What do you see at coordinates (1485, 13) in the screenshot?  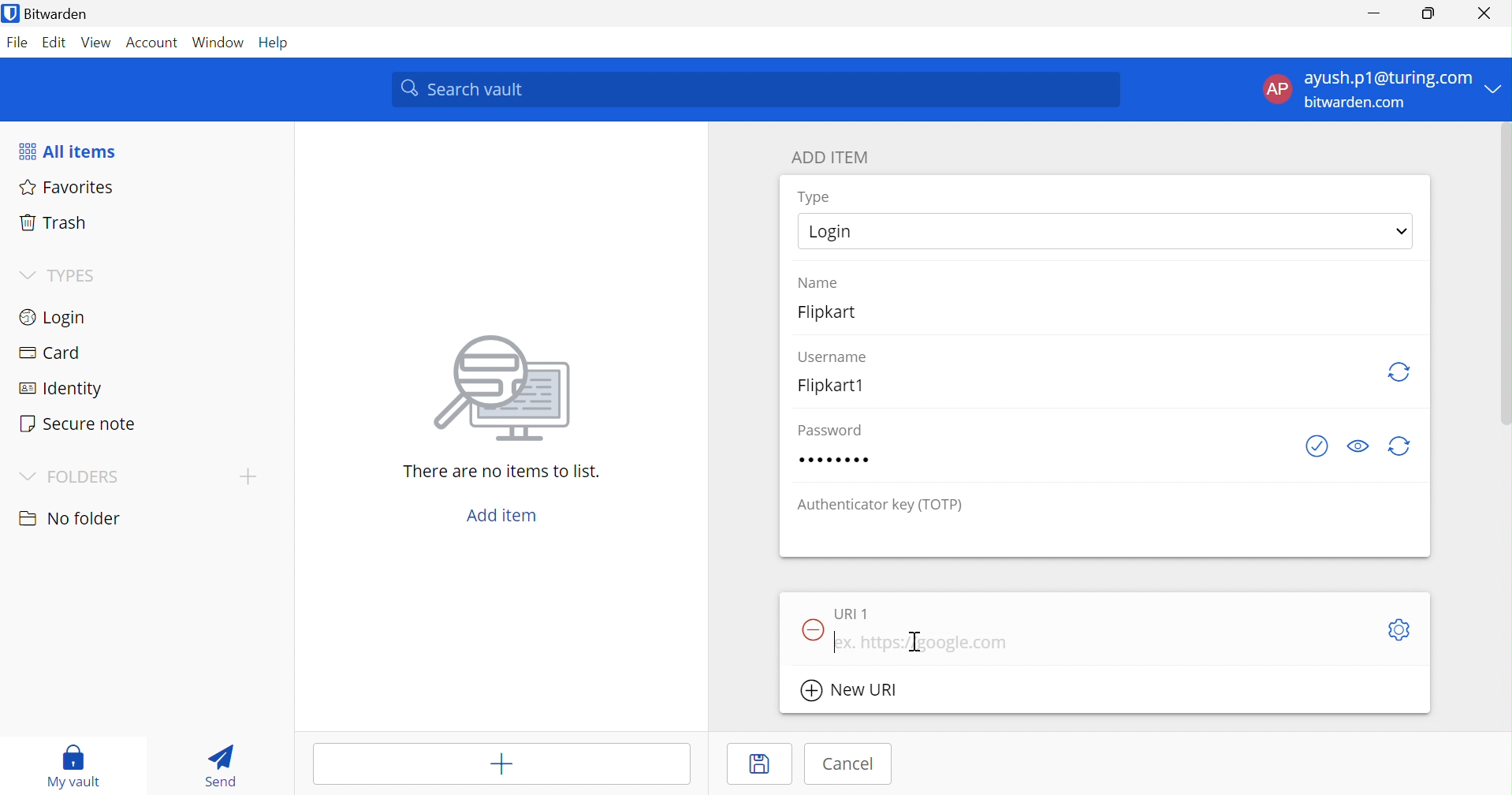 I see `Close` at bounding box center [1485, 13].